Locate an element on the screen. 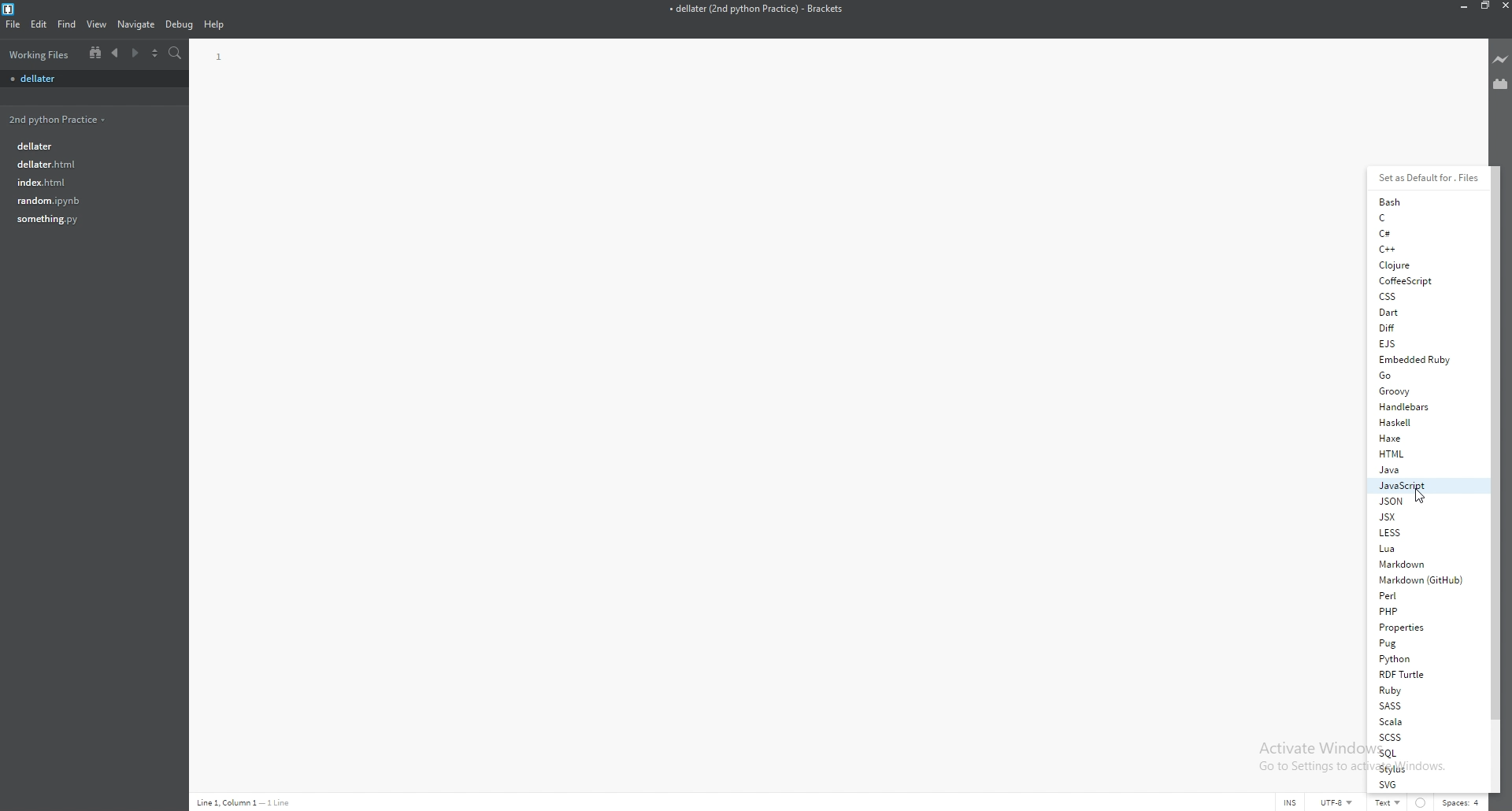  view is located at coordinates (97, 24).